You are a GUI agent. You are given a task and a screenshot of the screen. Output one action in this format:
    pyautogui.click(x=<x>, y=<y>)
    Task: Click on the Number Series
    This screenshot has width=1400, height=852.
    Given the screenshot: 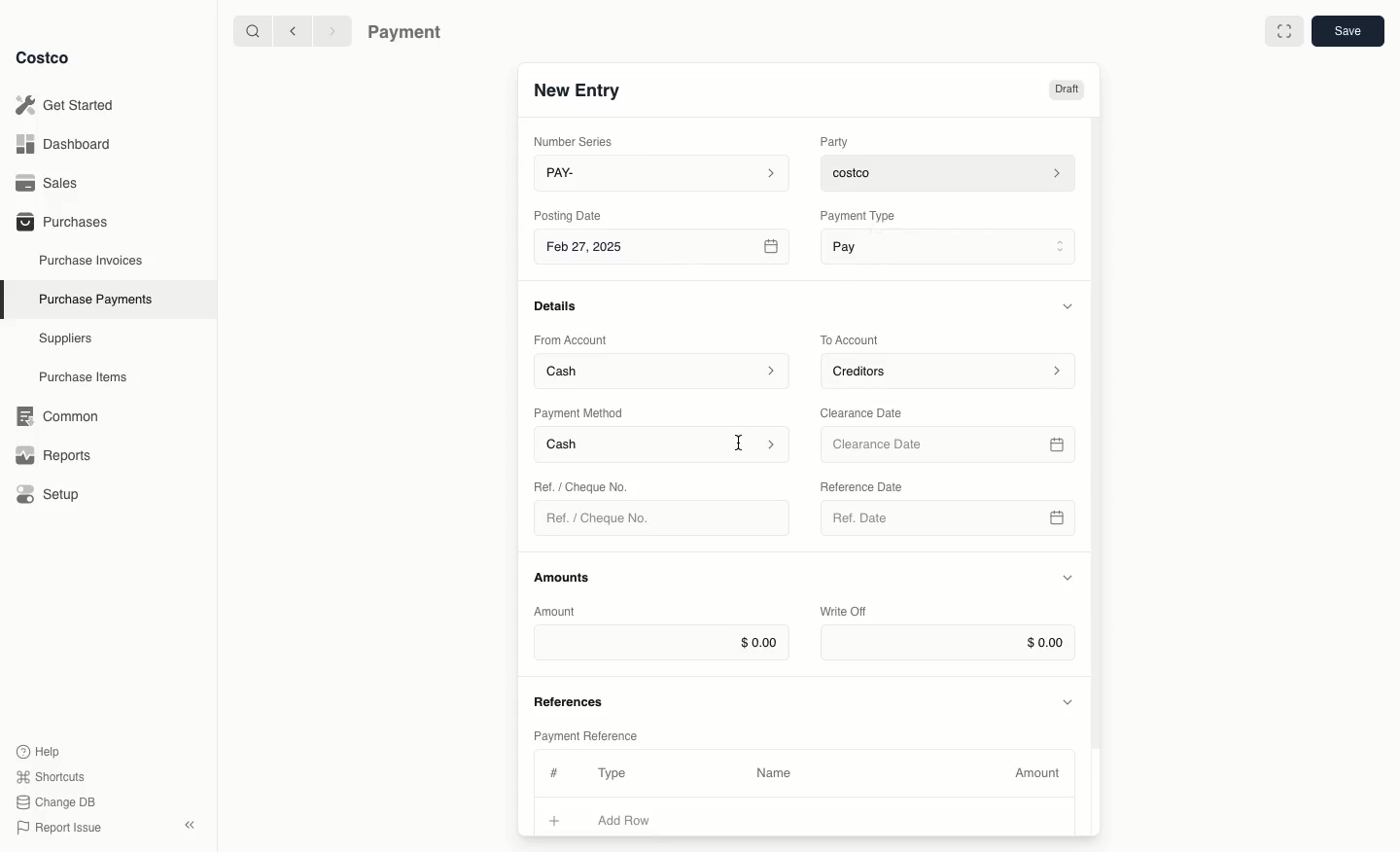 What is the action you would take?
    pyautogui.click(x=577, y=141)
    